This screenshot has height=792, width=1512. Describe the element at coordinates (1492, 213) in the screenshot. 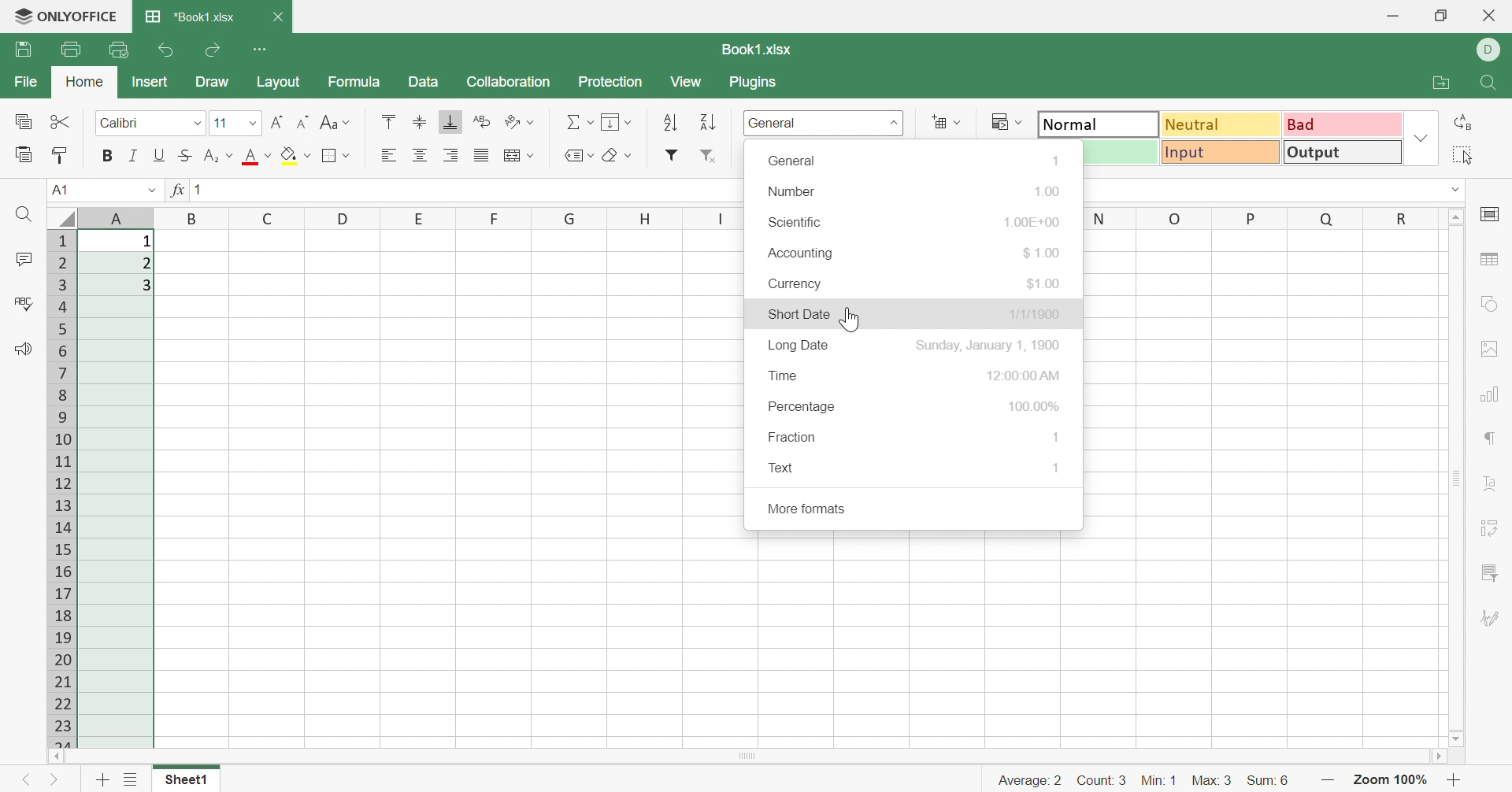

I see `Cell settings` at that location.